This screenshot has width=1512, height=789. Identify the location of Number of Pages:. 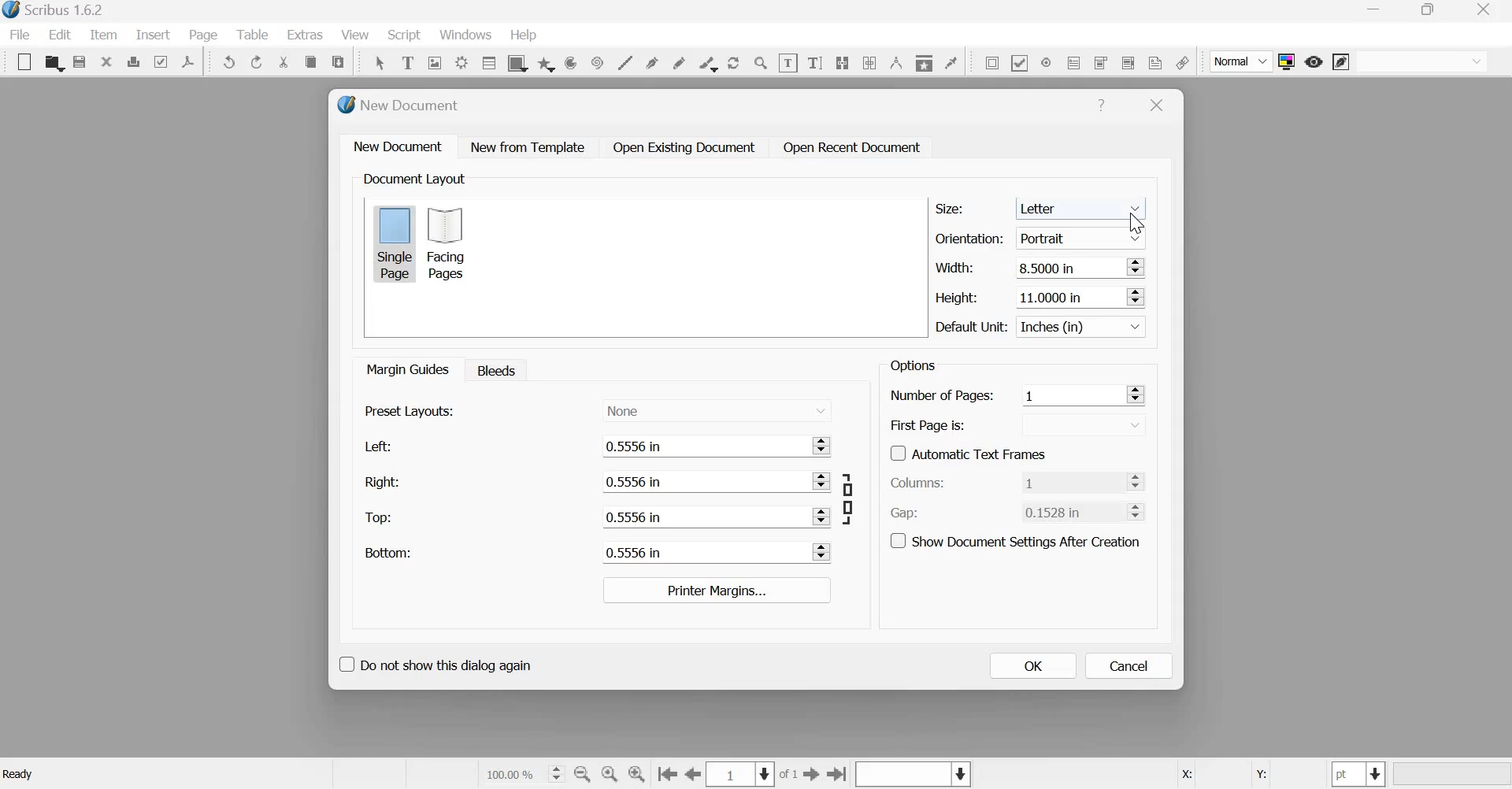
(942, 397).